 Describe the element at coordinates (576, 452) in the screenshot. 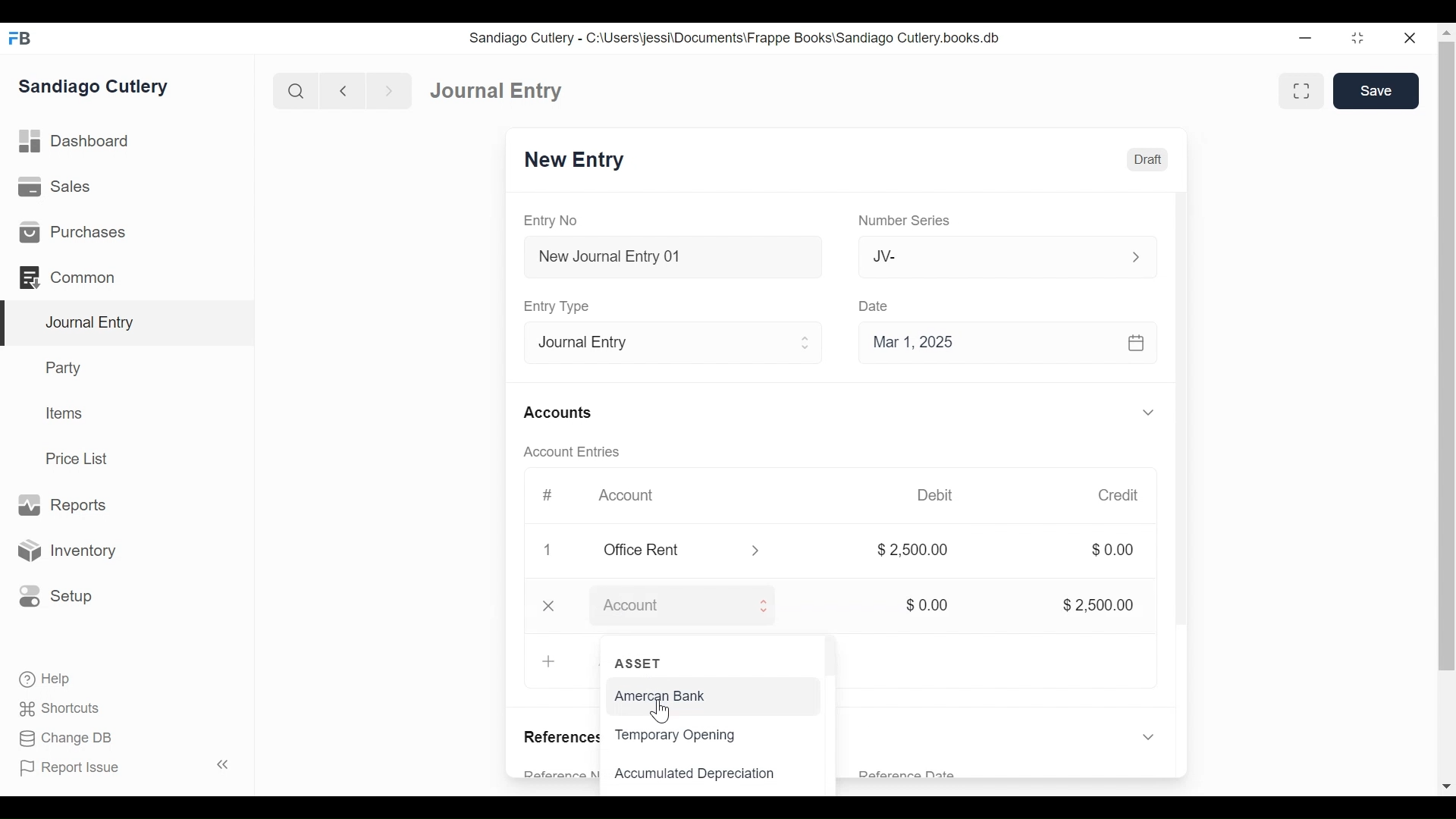

I see `Account Entries` at that location.